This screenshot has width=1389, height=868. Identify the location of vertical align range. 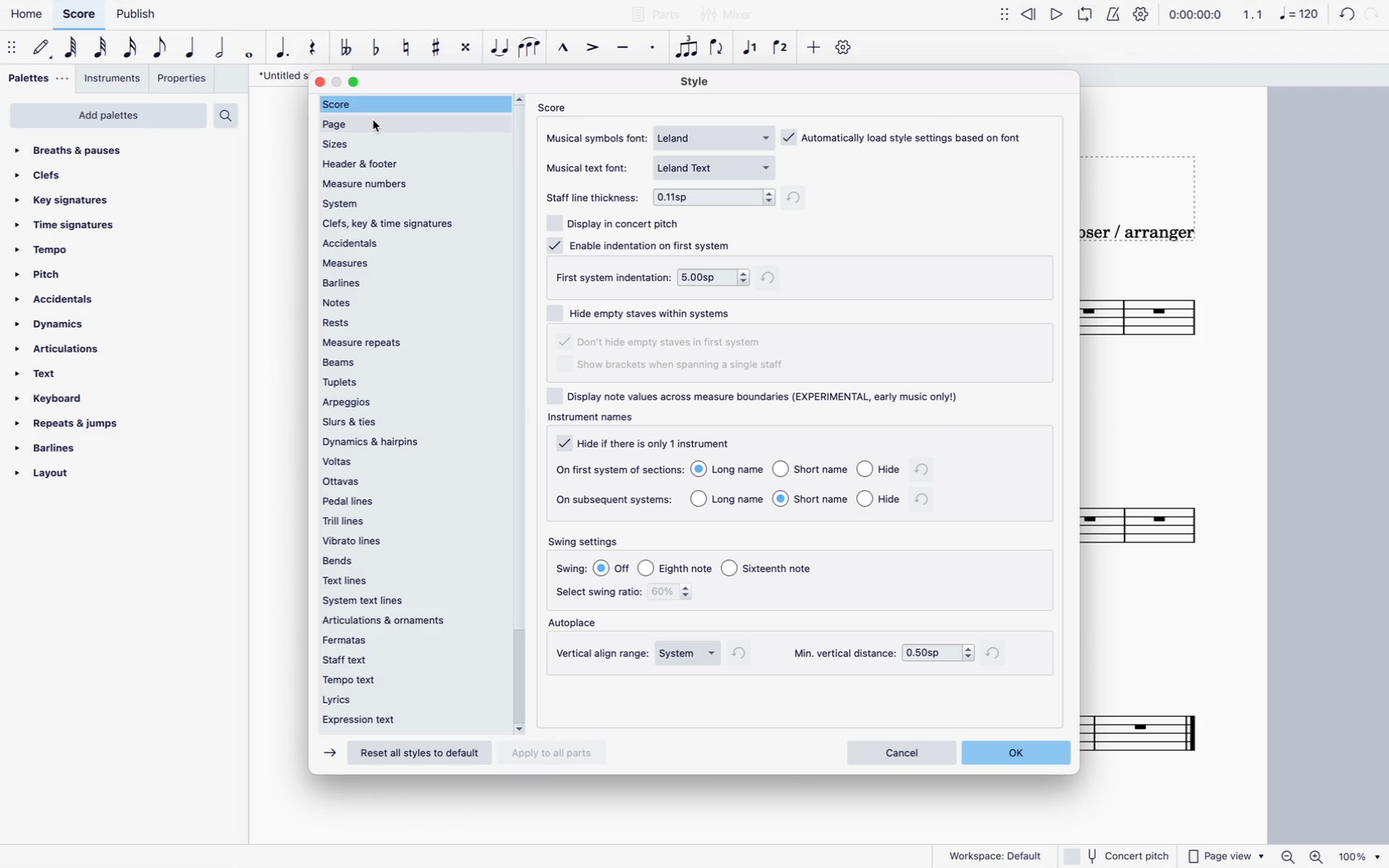
(604, 652).